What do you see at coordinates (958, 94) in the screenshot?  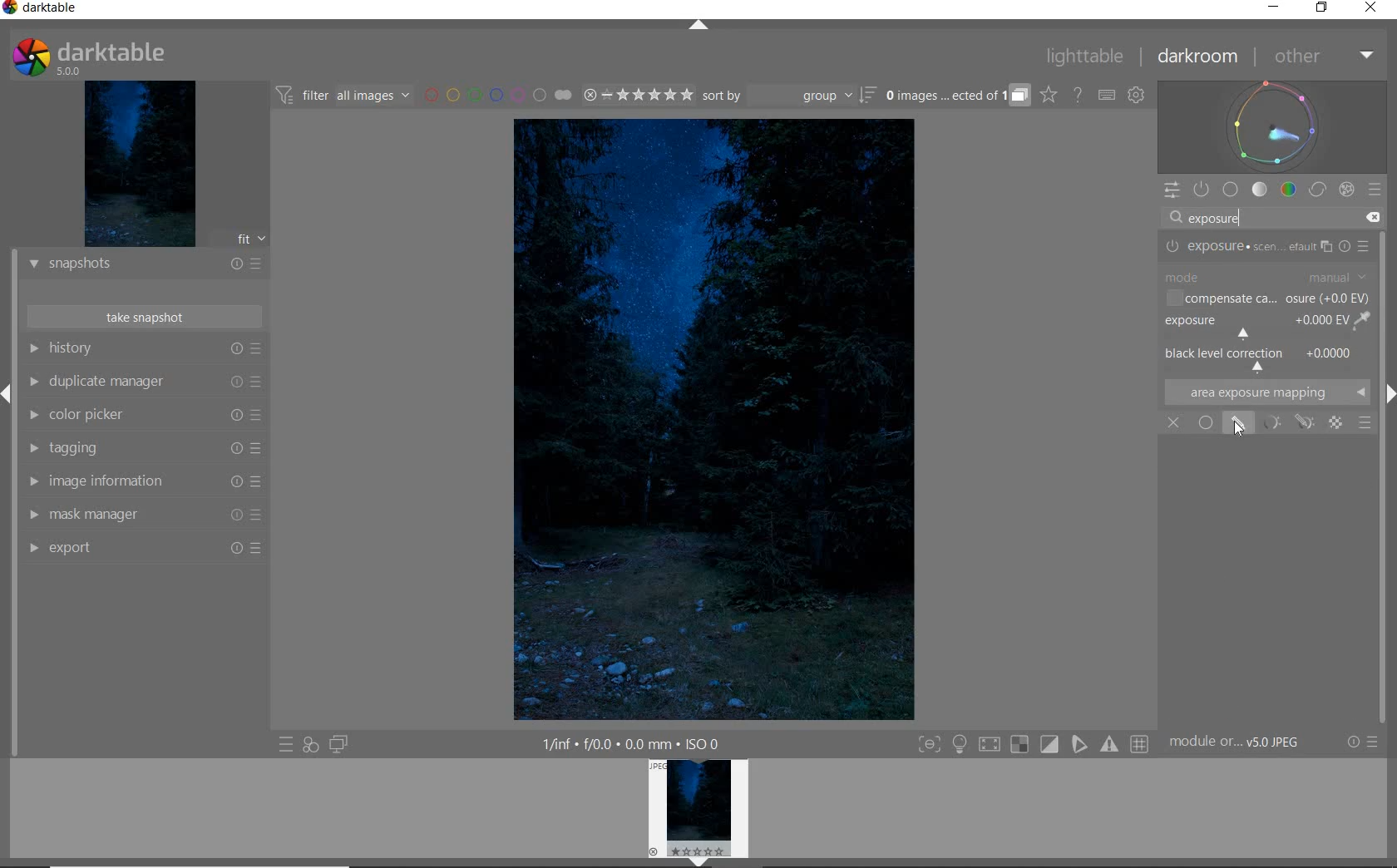 I see `EXPAND GROUPED IMAGES` at bounding box center [958, 94].